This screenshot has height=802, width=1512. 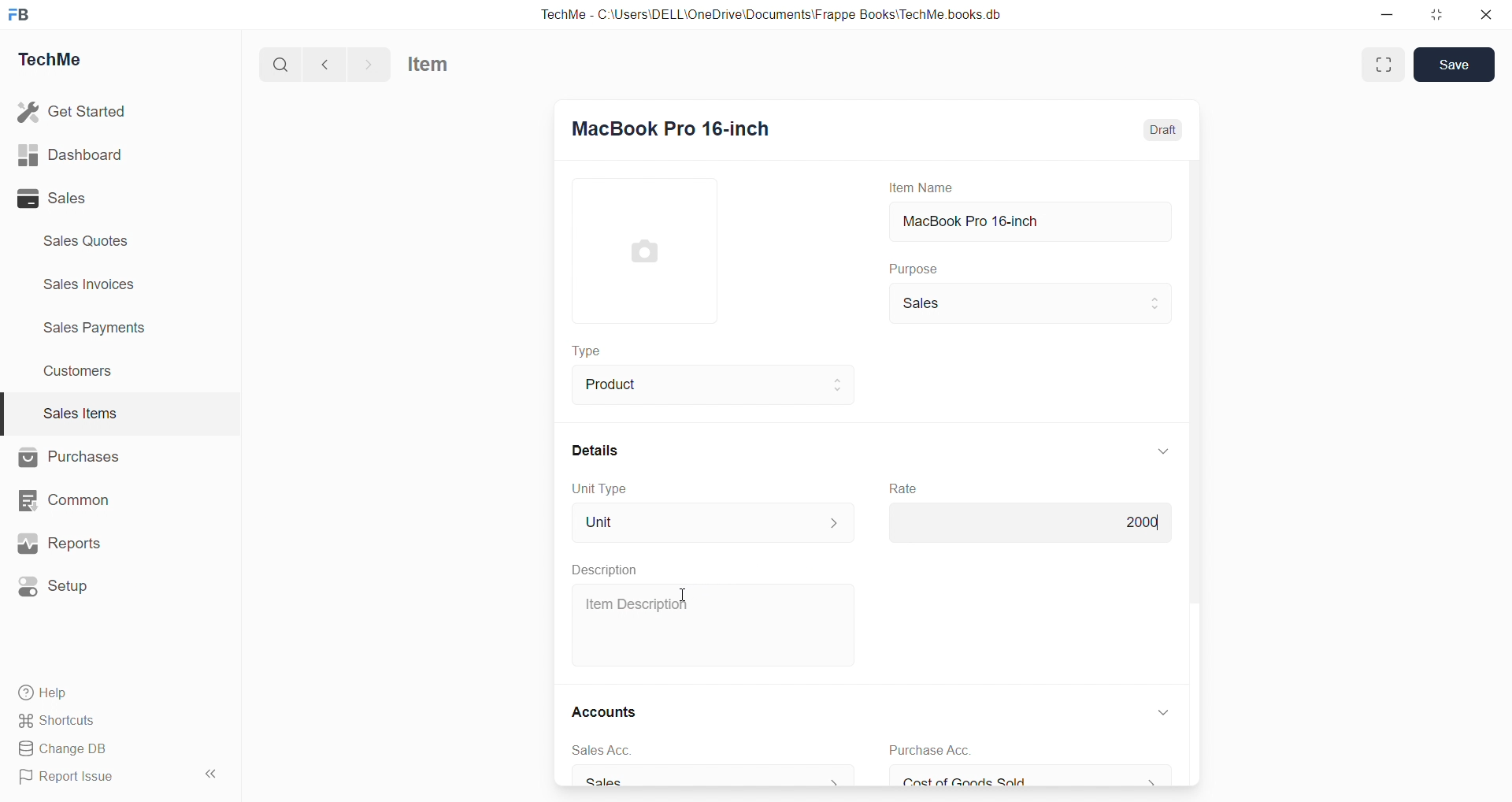 What do you see at coordinates (1028, 304) in the screenshot?
I see `Sales` at bounding box center [1028, 304].